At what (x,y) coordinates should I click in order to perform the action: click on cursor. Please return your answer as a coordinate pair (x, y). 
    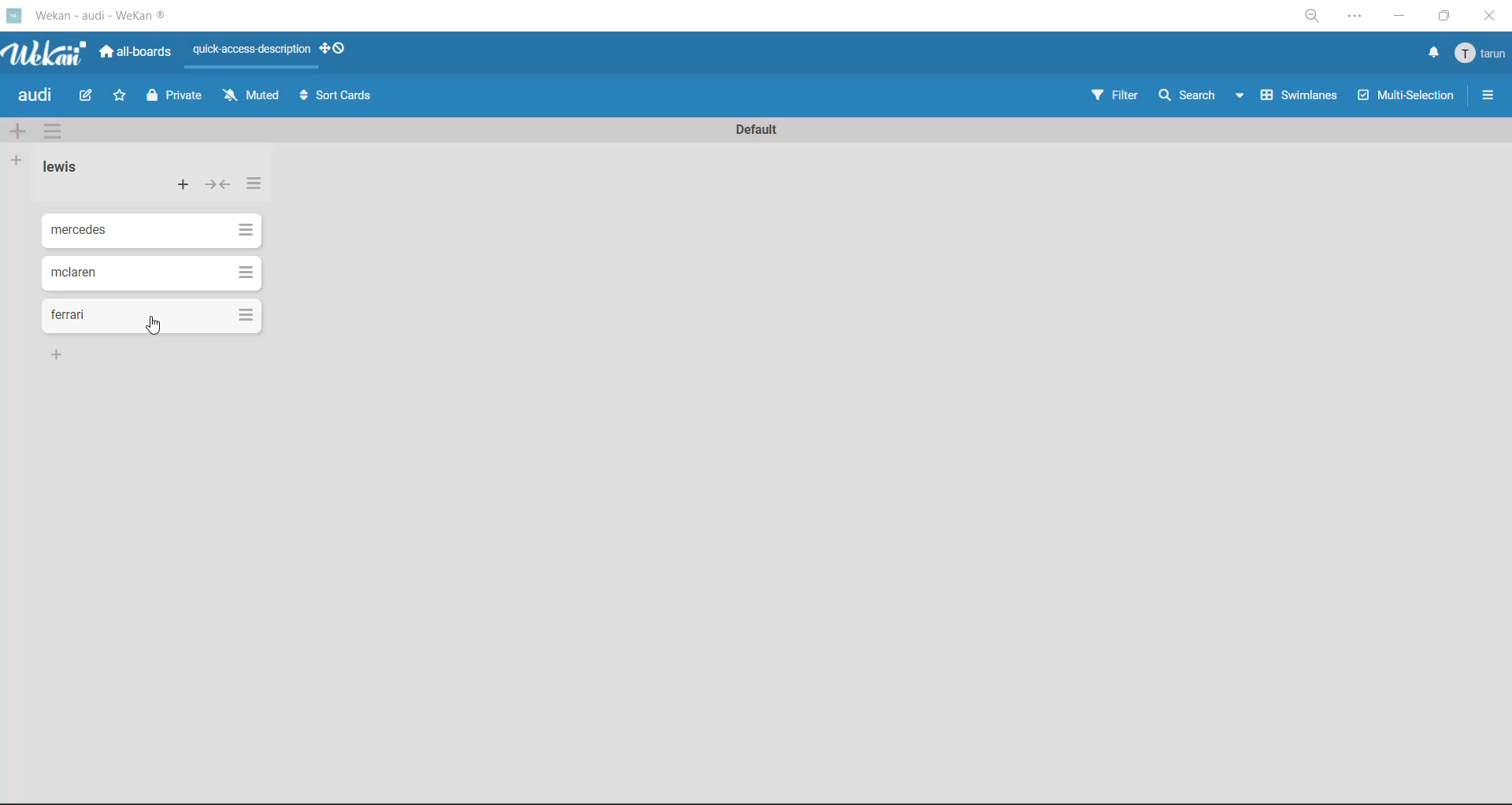
    Looking at the image, I should click on (157, 329).